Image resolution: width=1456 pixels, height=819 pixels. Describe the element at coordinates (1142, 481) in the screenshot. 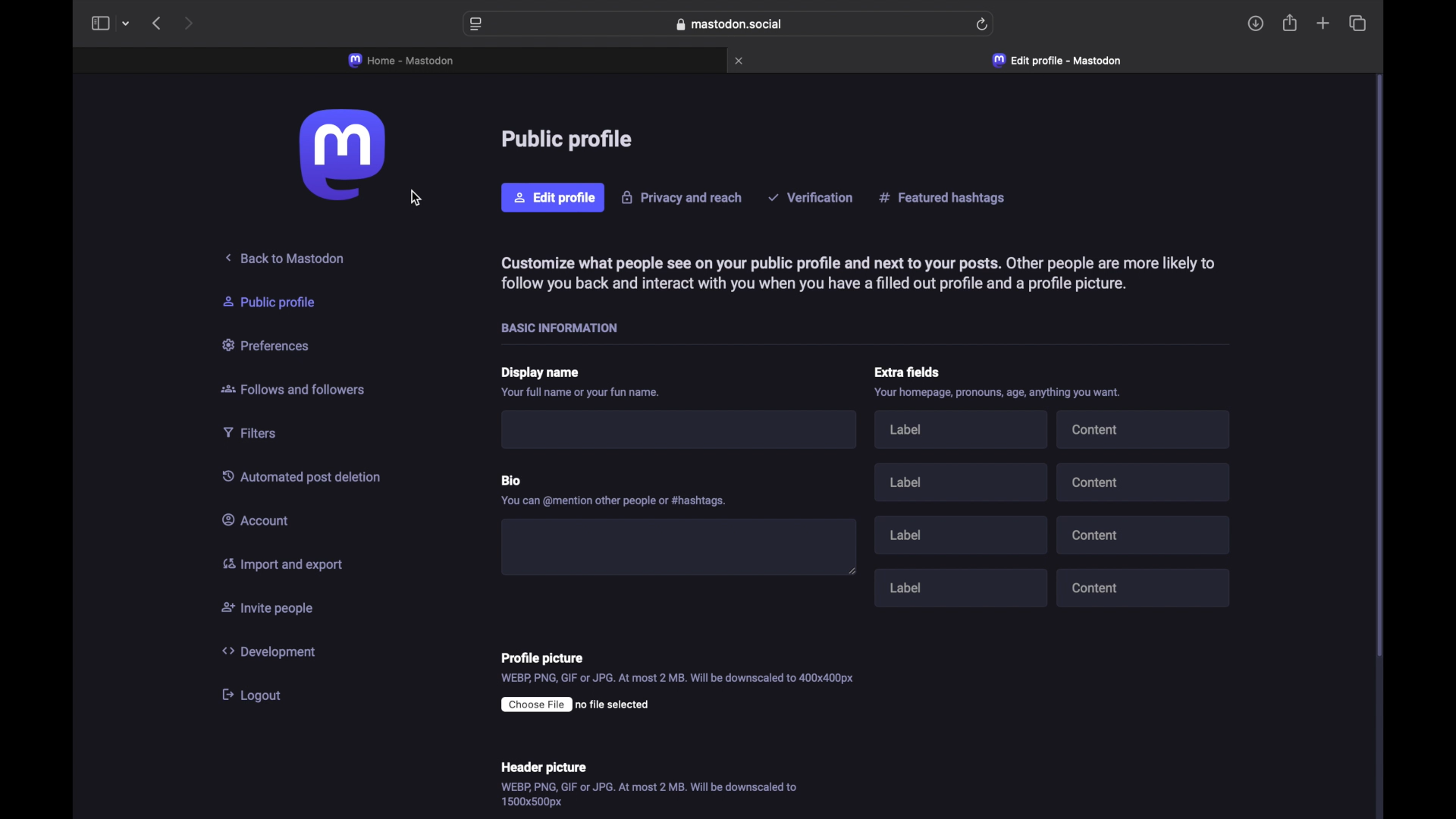

I see `content` at that location.